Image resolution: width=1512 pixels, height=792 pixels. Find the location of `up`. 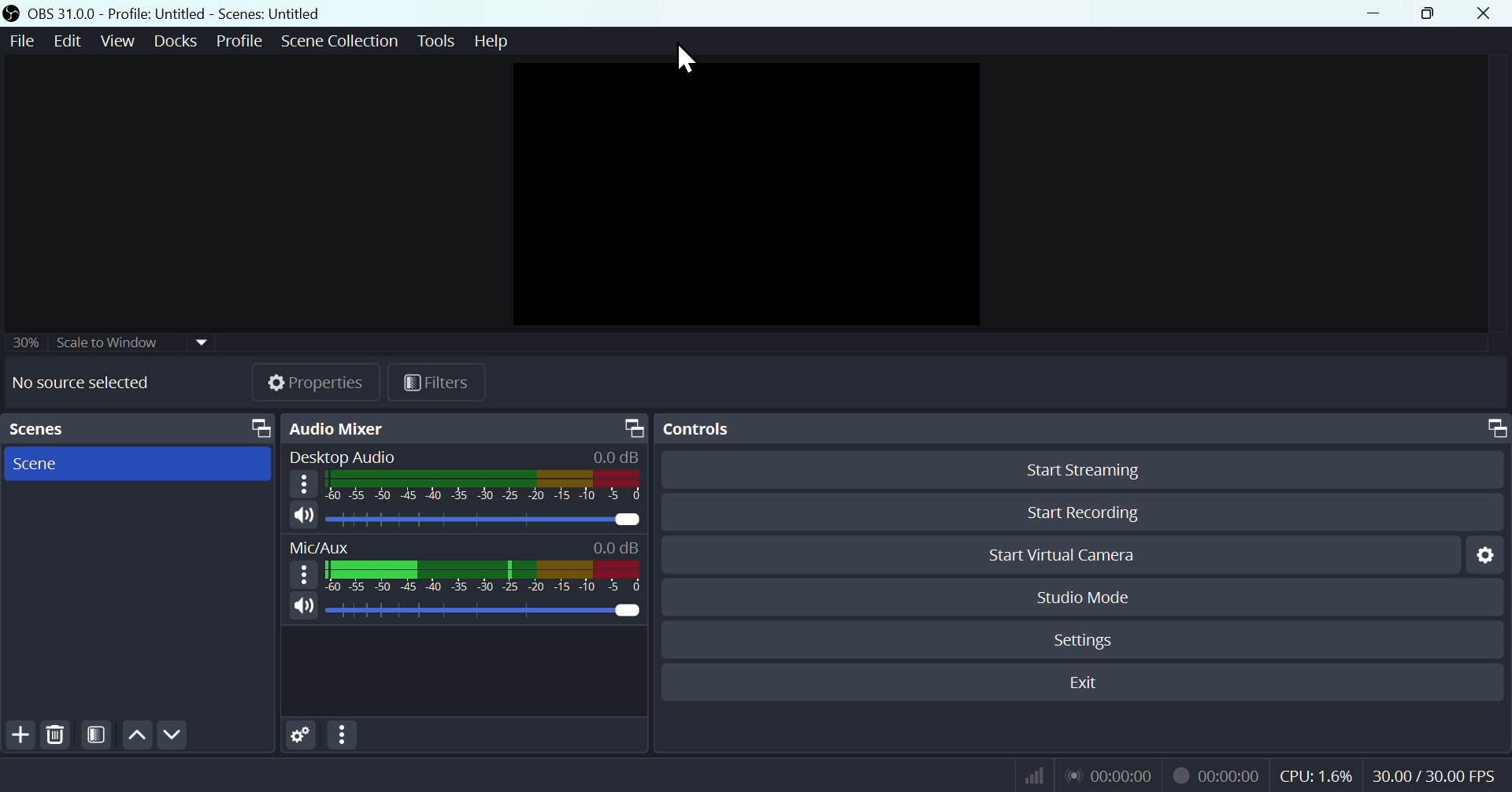

up is located at coordinates (136, 734).